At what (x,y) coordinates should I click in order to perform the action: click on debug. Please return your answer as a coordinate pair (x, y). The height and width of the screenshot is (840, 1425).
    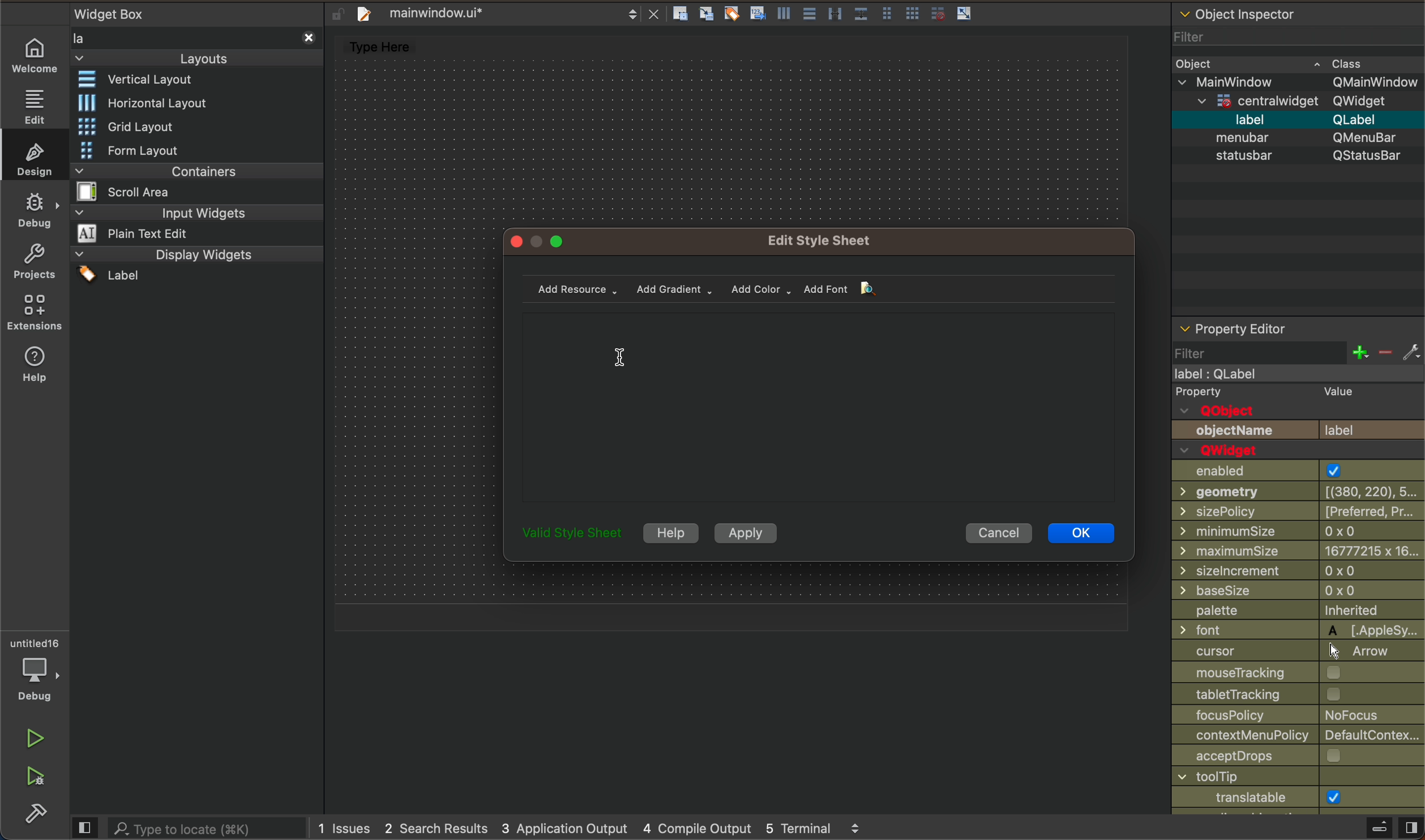
    Looking at the image, I should click on (38, 213).